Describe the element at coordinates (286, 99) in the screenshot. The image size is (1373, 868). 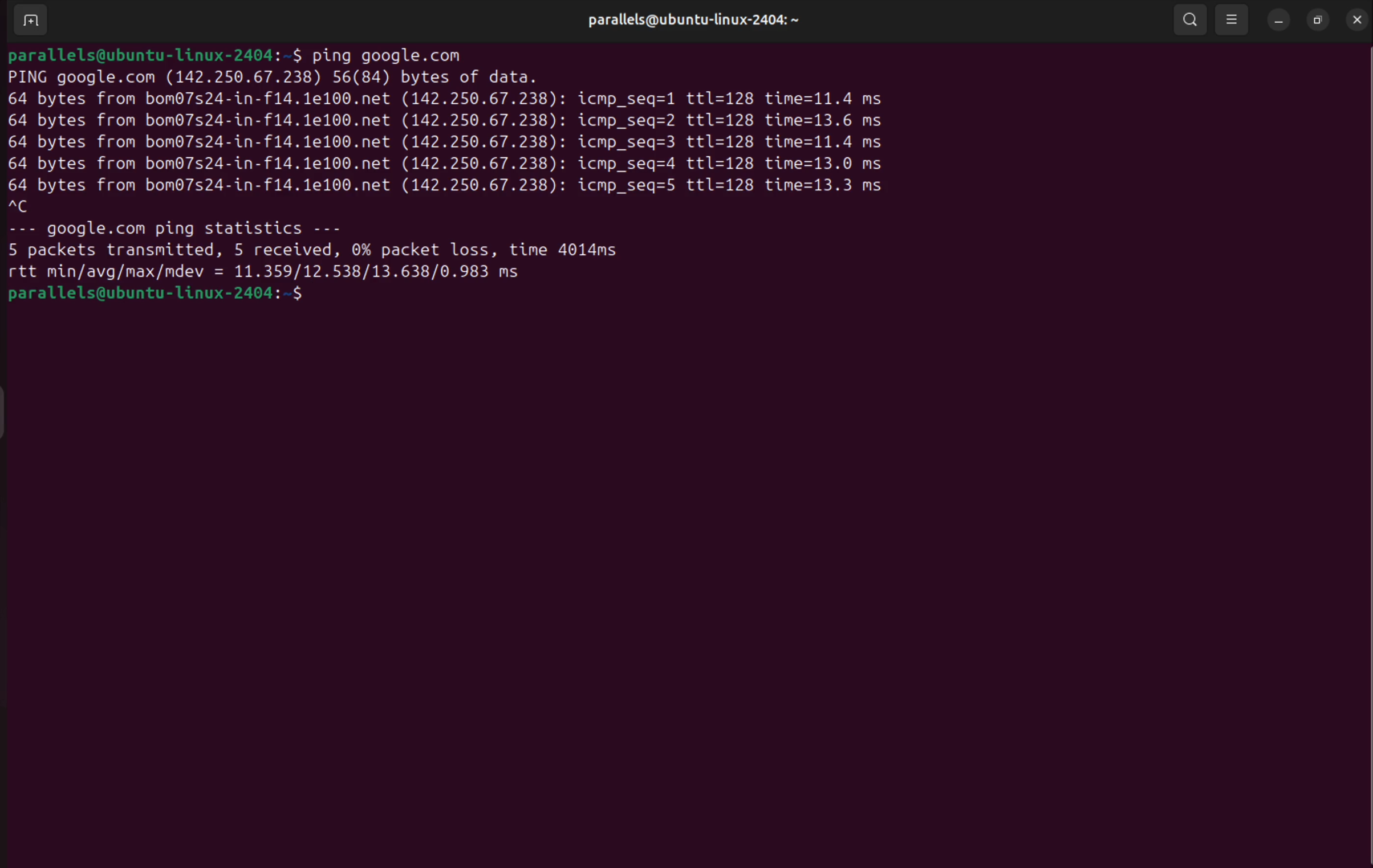
I see `64 bytes from bom poert .net` at that location.